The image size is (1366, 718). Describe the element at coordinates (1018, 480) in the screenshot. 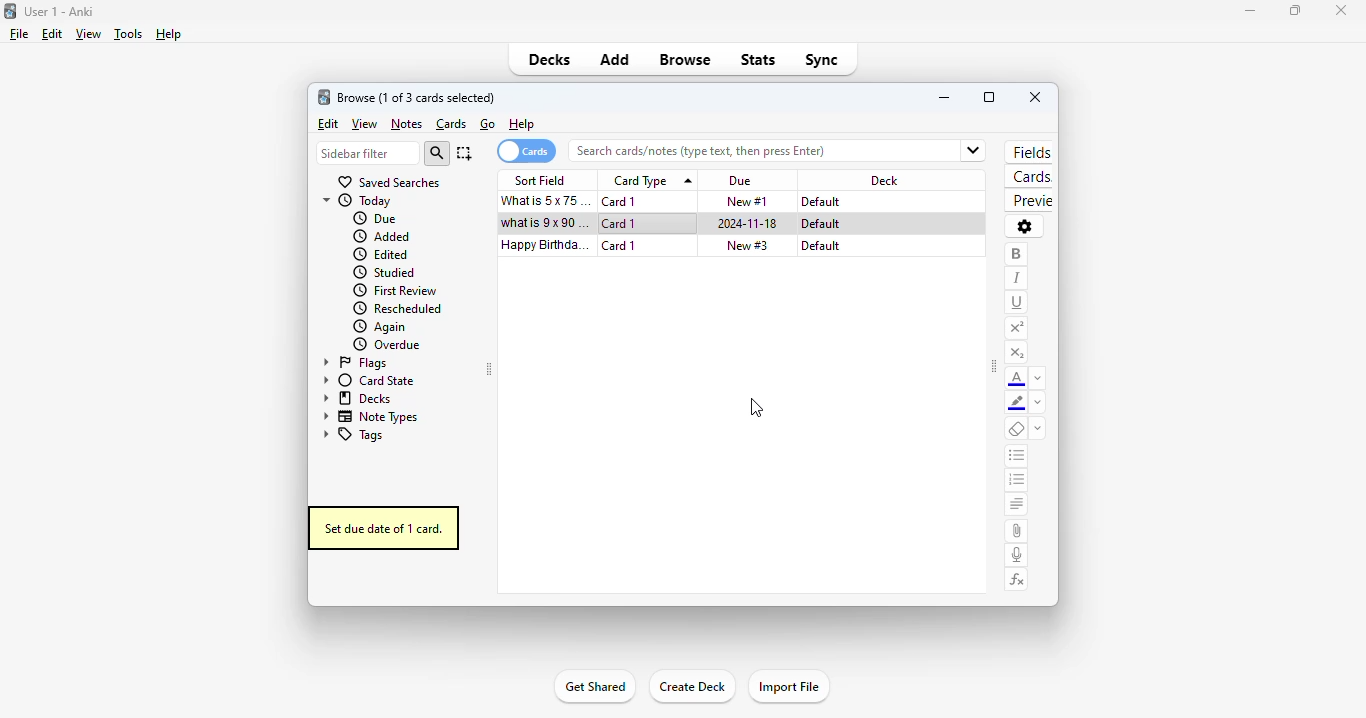

I see `ordered list` at that location.